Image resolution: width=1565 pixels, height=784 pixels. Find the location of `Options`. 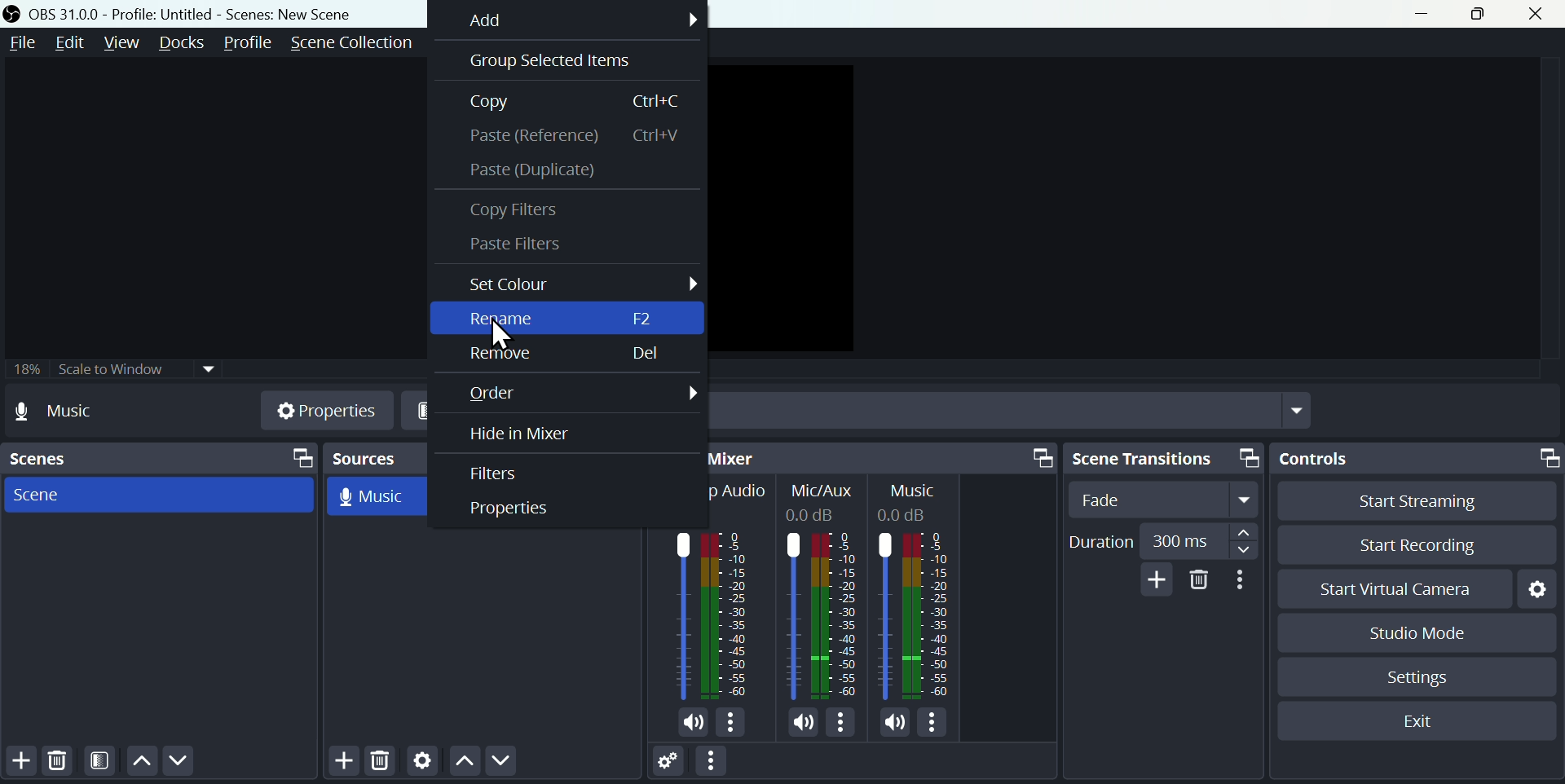

Options is located at coordinates (841, 723).